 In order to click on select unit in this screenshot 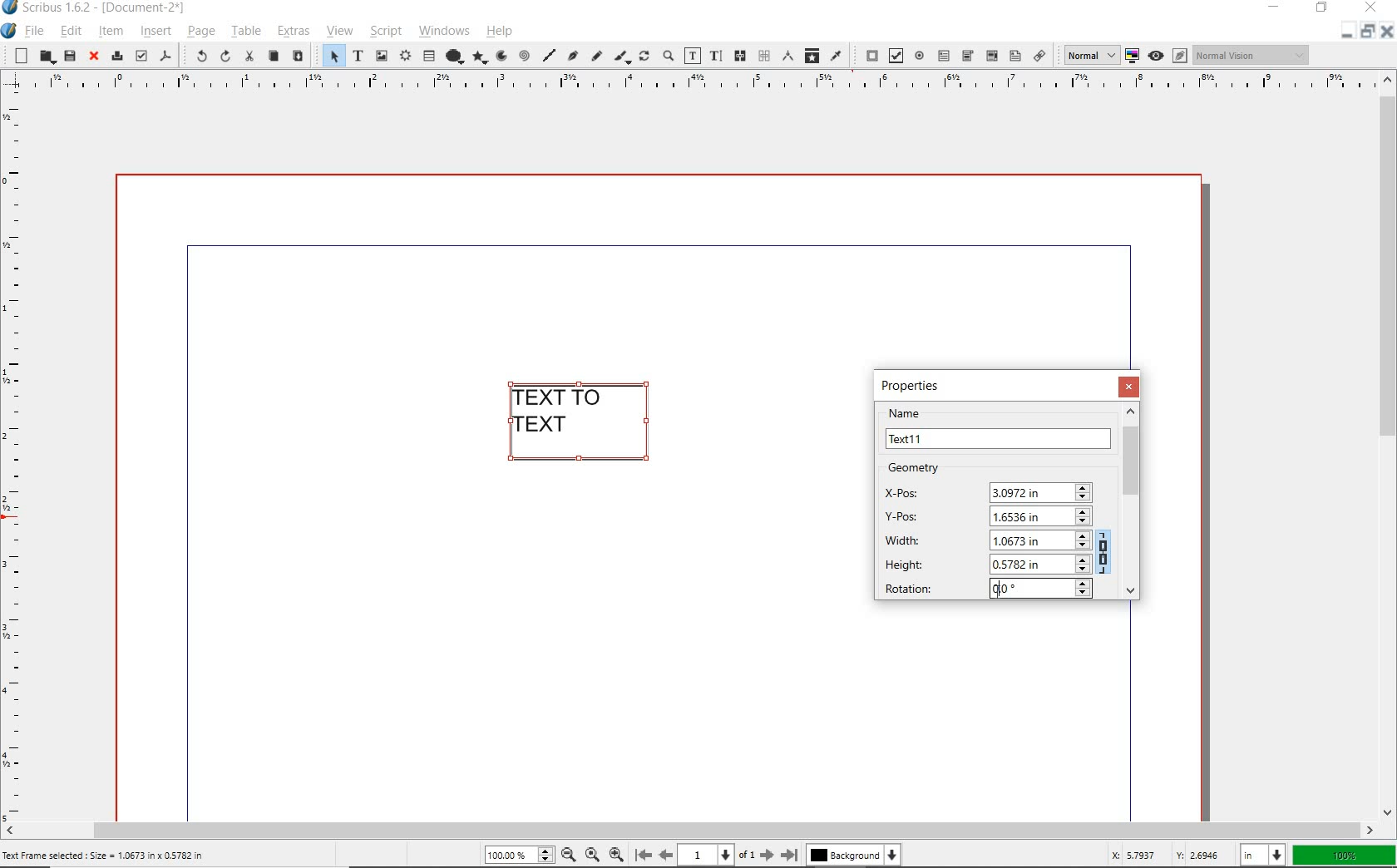, I will do `click(1260, 856)`.